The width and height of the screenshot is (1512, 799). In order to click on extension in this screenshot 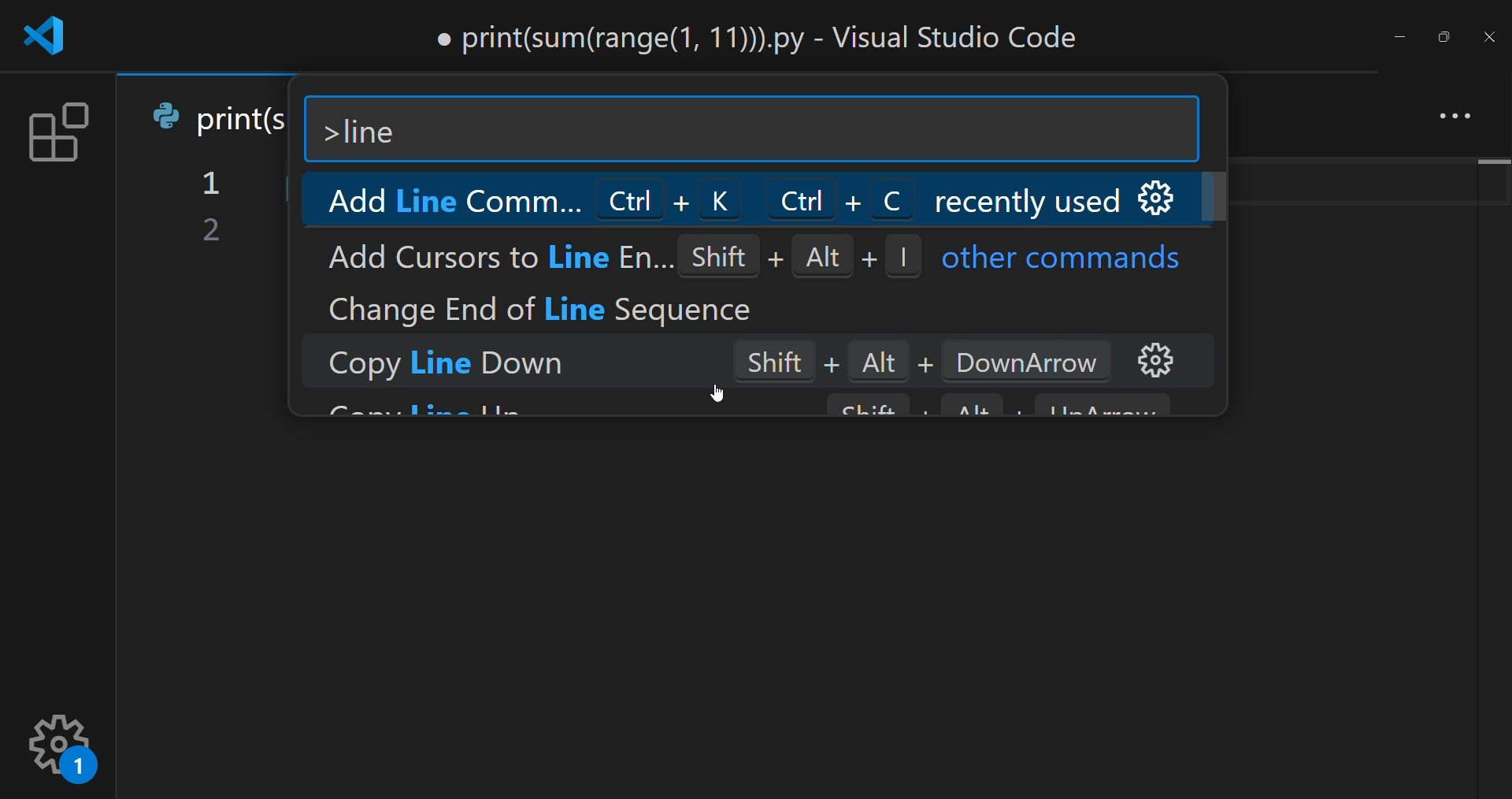, I will do `click(54, 136)`.